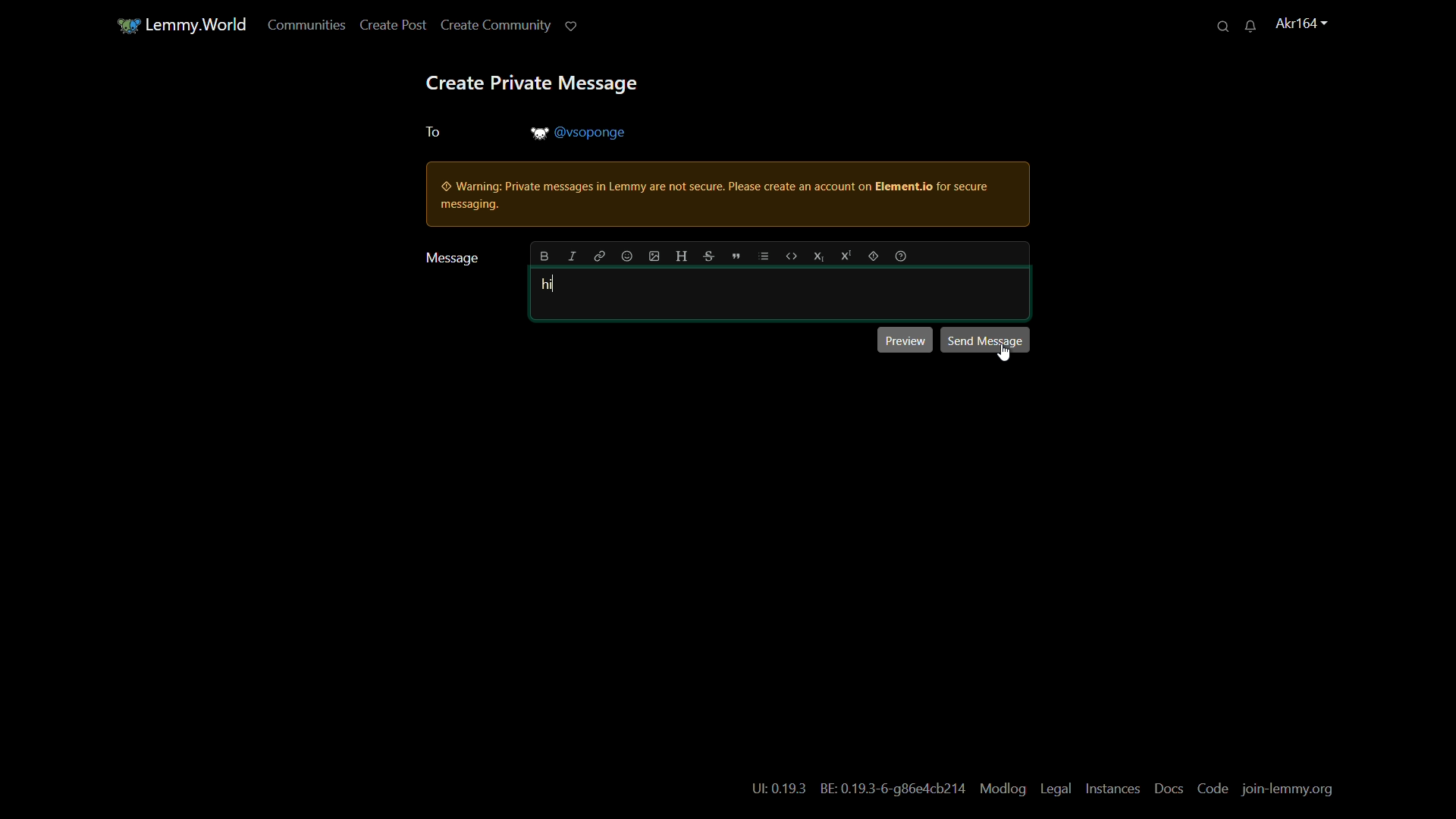 The height and width of the screenshot is (819, 1456). Describe the element at coordinates (1170, 789) in the screenshot. I see `docs` at that location.